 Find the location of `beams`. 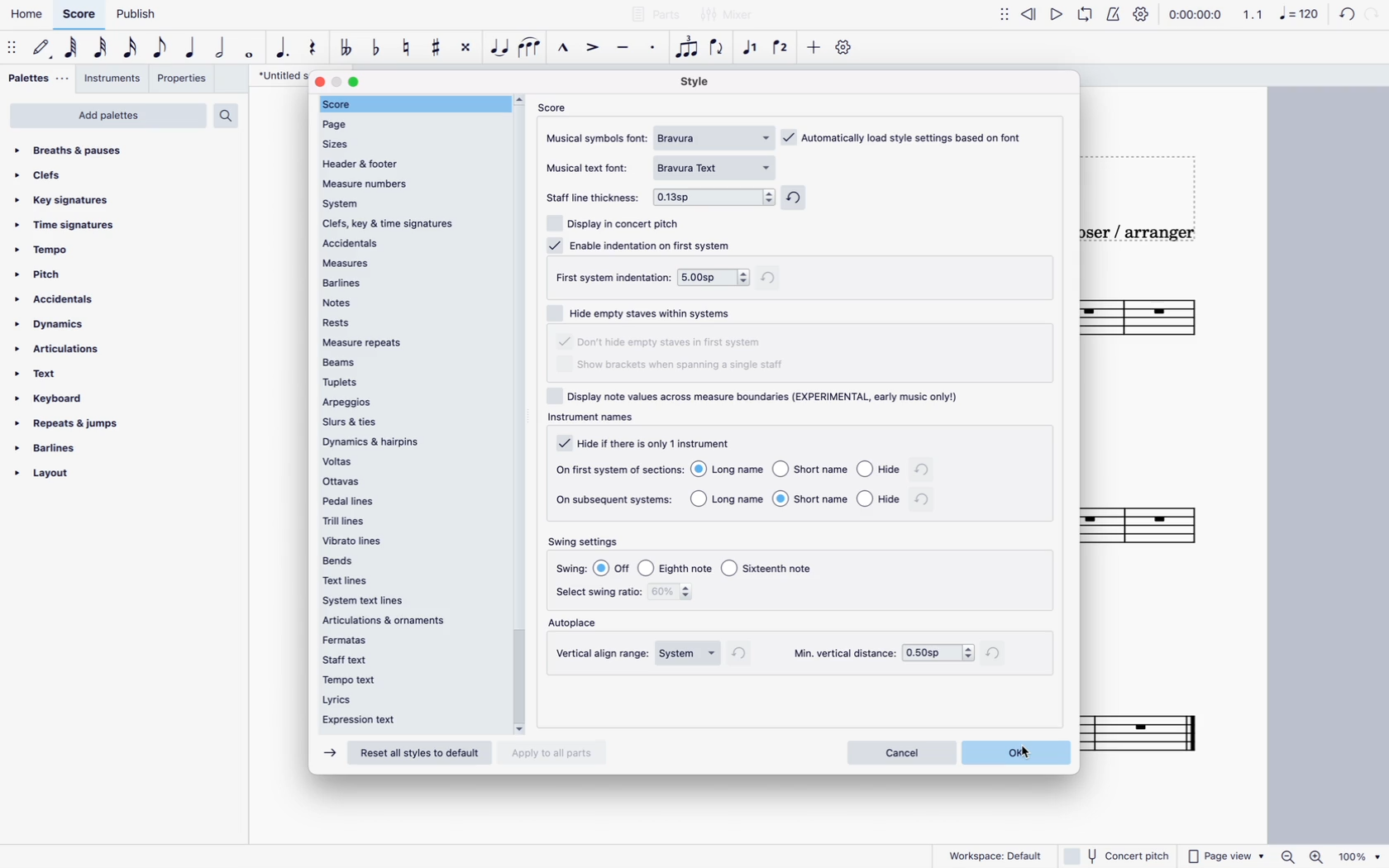

beams is located at coordinates (410, 361).